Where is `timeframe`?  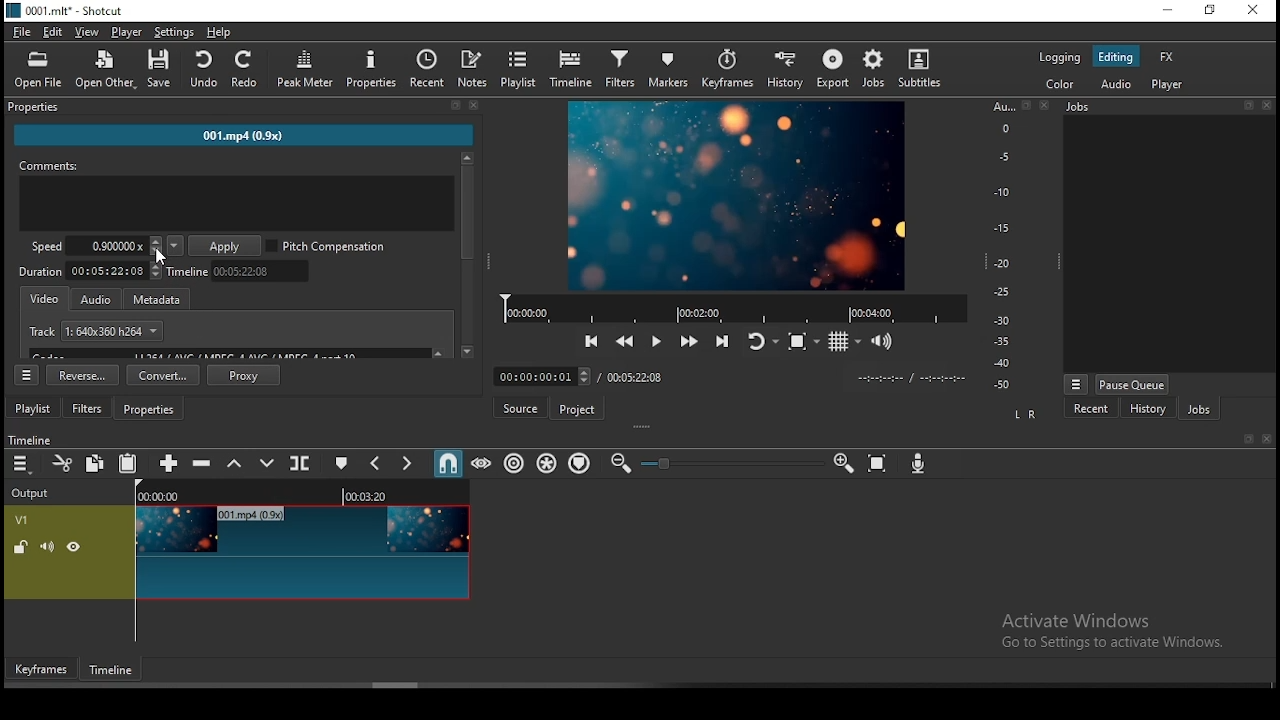 timeframe is located at coordinates (112, 669).